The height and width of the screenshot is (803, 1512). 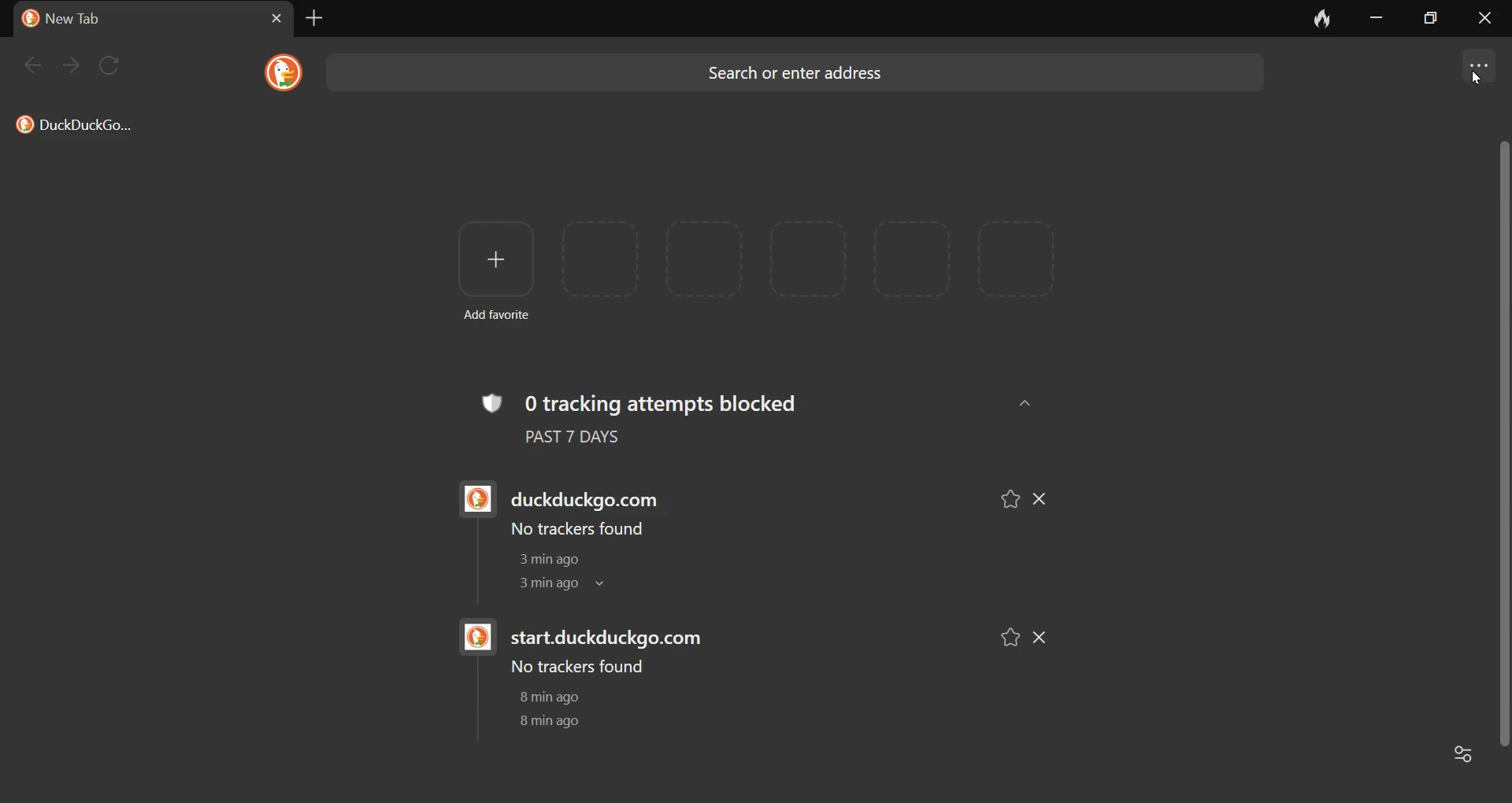 What do you see at coordinates (1046, 636) in the screenshot?
I see `cancel` at bounding box center [1046, 636].